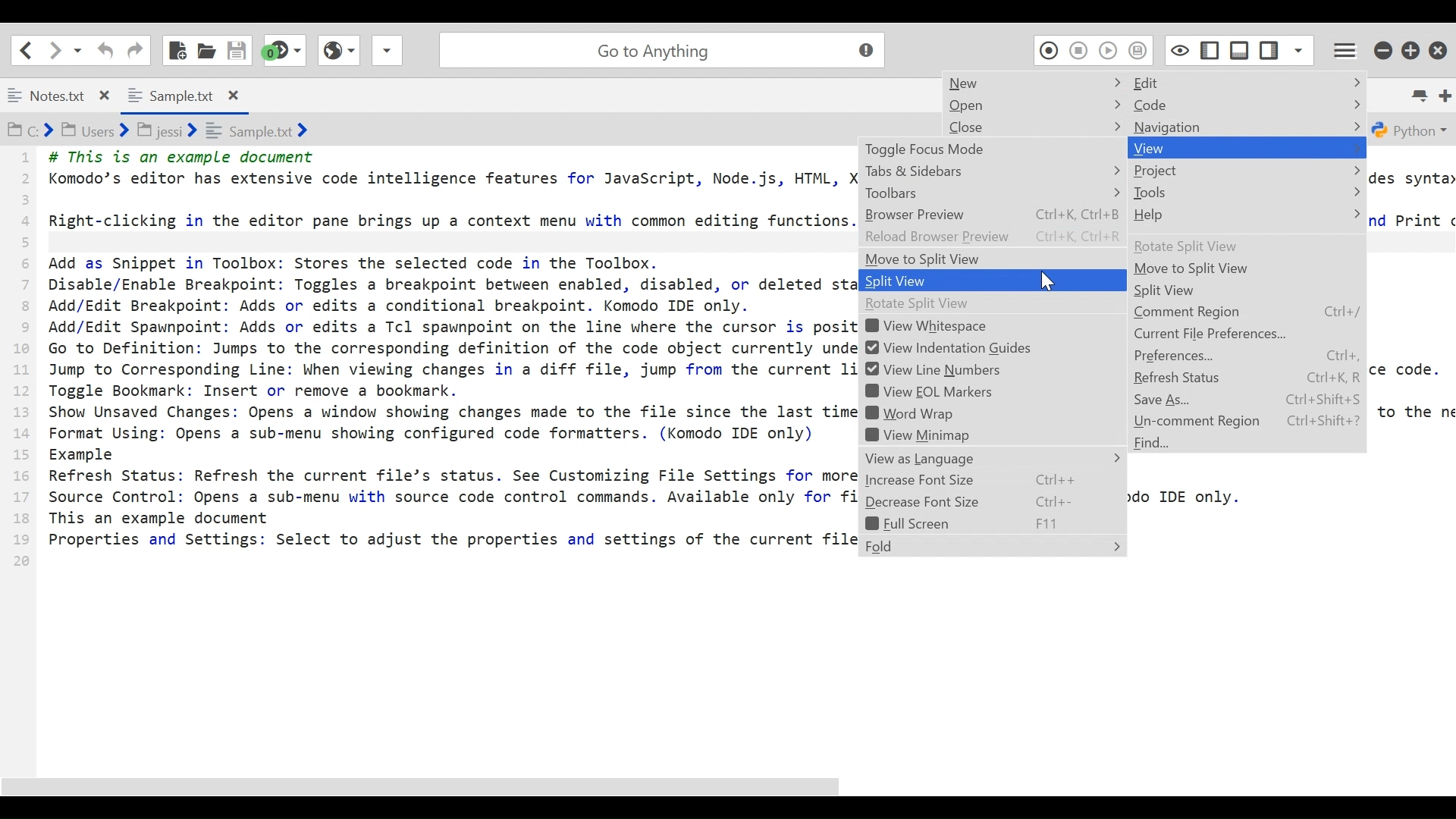 The width and height of the screenshot is (1456, 819). Describe the element at coordinates (666, 50) in the screenshot. I see `Go to Anything` at that location.